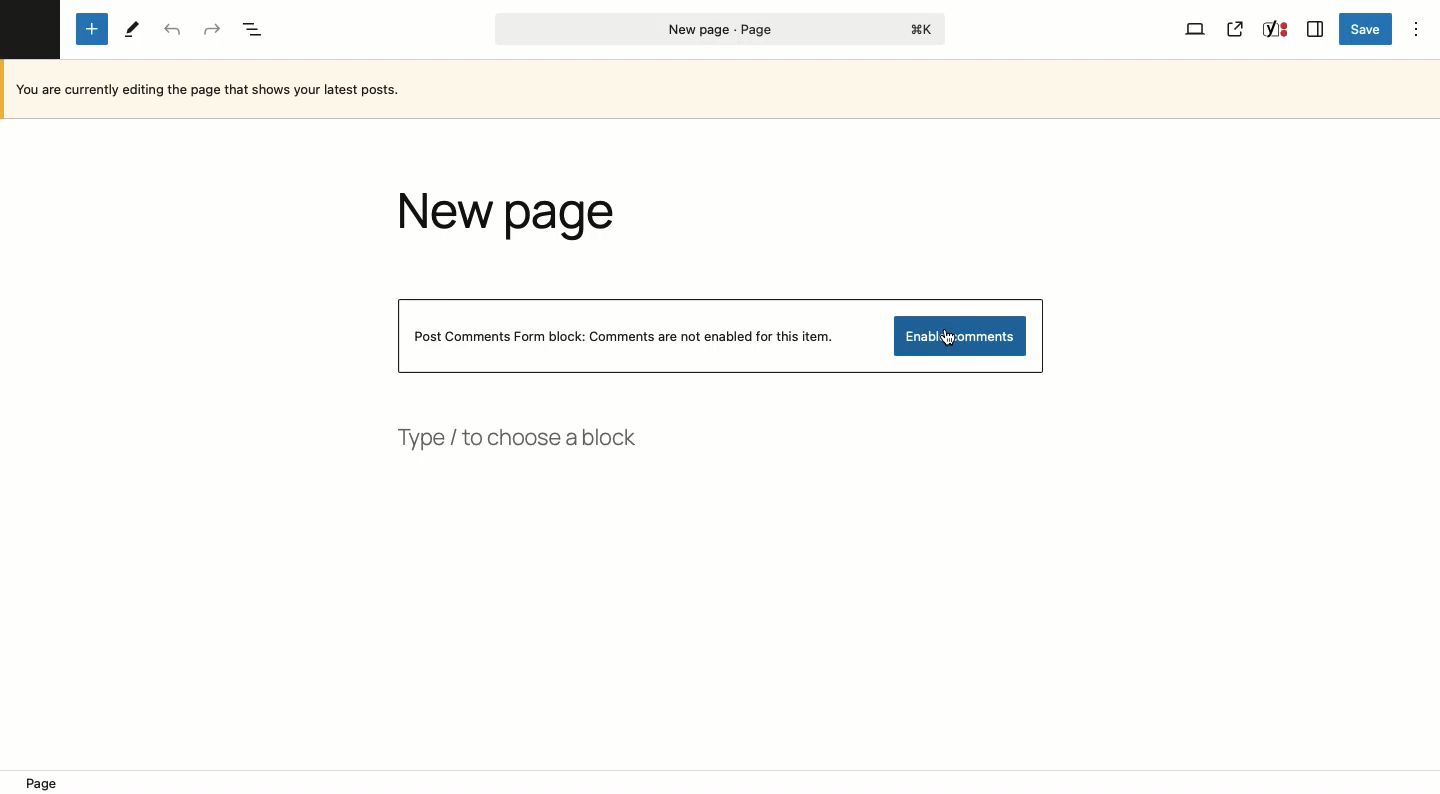 The height and width of the screenshot is (794, 1440). What do you see at coordinates (632, 337) in the screenshot?
I see `Post comments form block` at bounding box center [632, 337].